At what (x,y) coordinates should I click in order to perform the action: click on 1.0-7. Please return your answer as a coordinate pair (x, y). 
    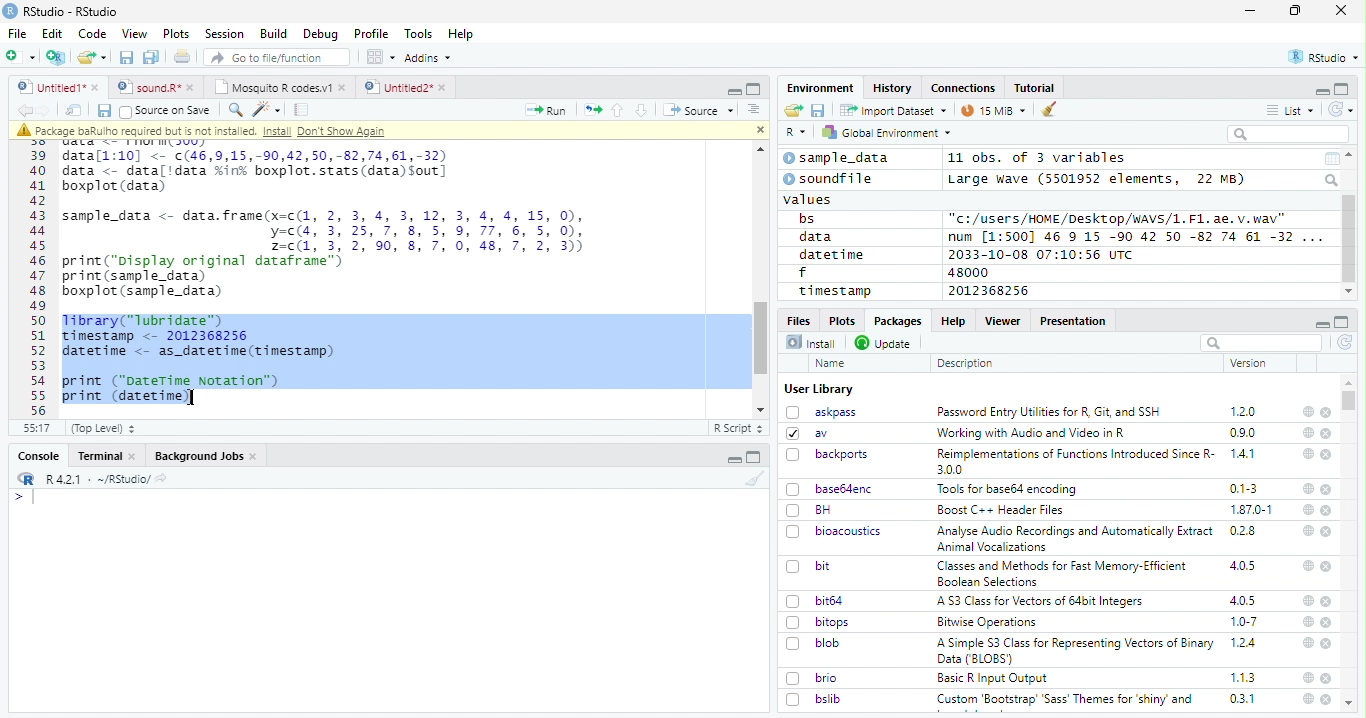
    Looking at the image, I should click on (1245, 622).